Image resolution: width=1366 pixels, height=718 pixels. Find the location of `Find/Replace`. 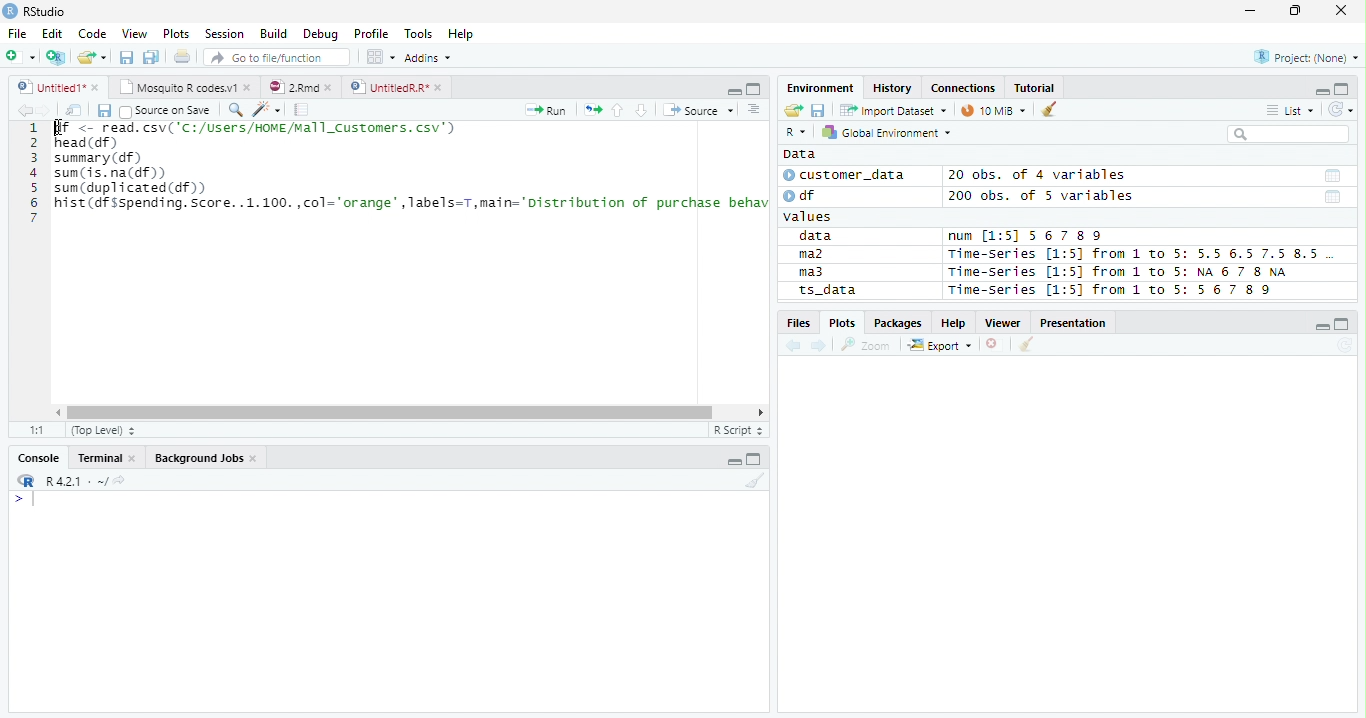

Find/Replace is located at coordinates (234, 109).